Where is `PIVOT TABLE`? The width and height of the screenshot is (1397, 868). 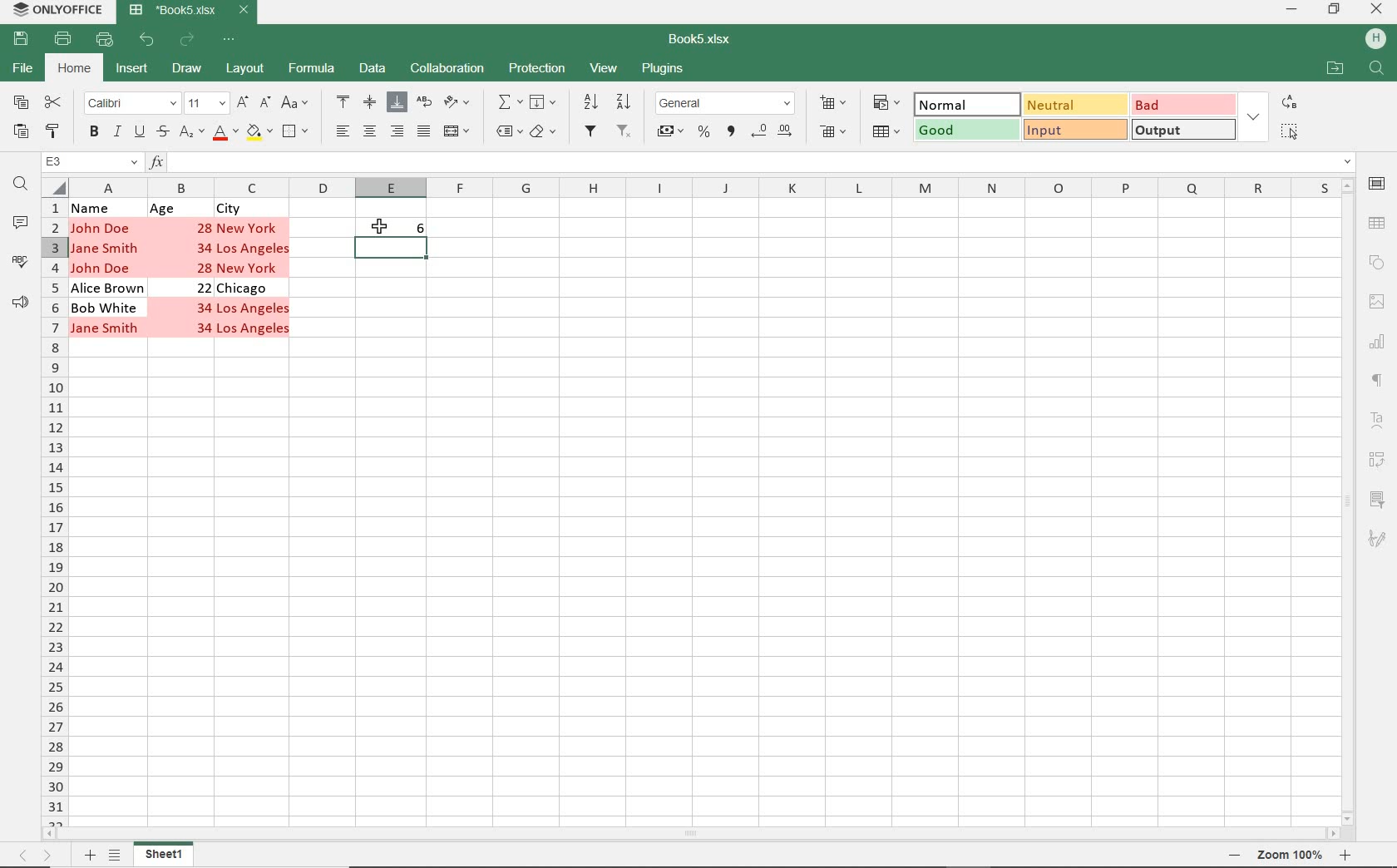 PIVOT TABLE is located at coordinates (1376, 461).